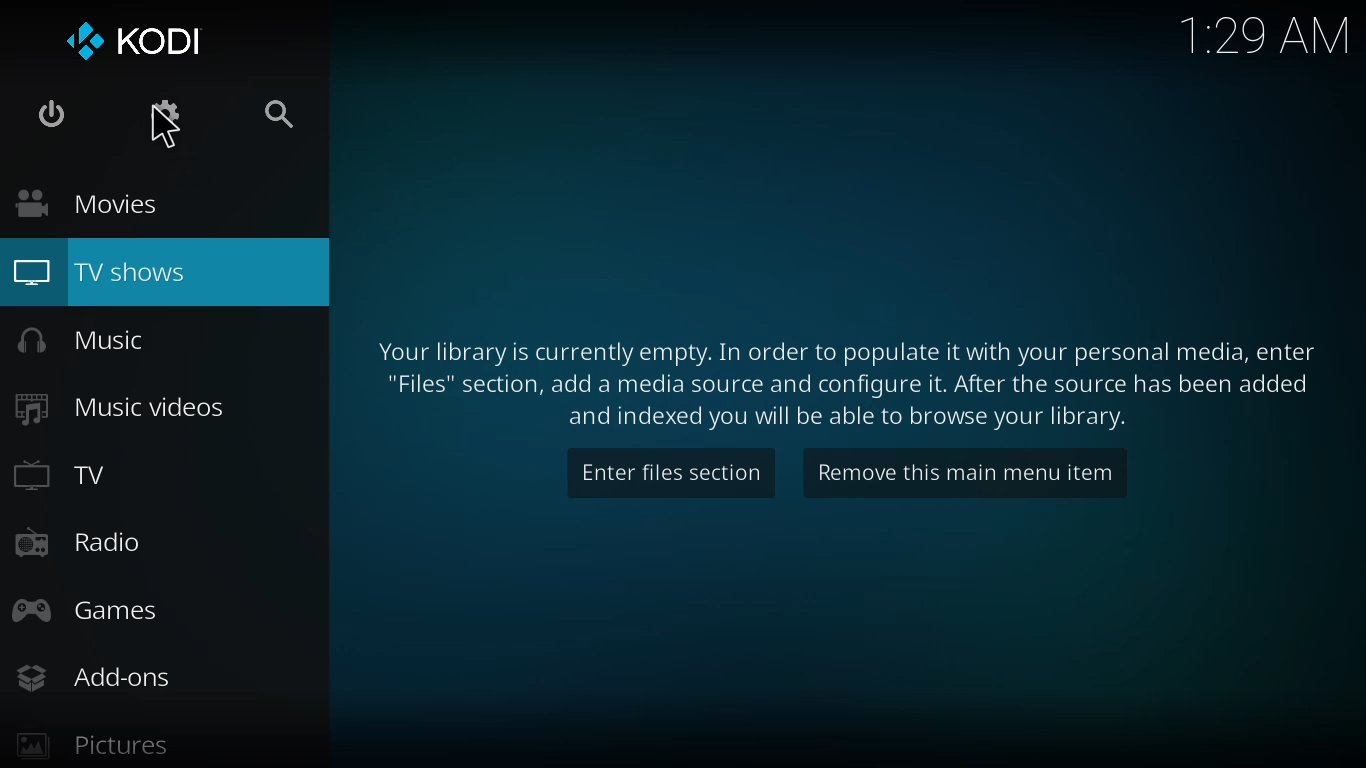 The height and width of the screenshot is (768, 1366). What do you see at coordinates (83, 610) in the screenshot?
I see `games` at bounding box center [83, 610].